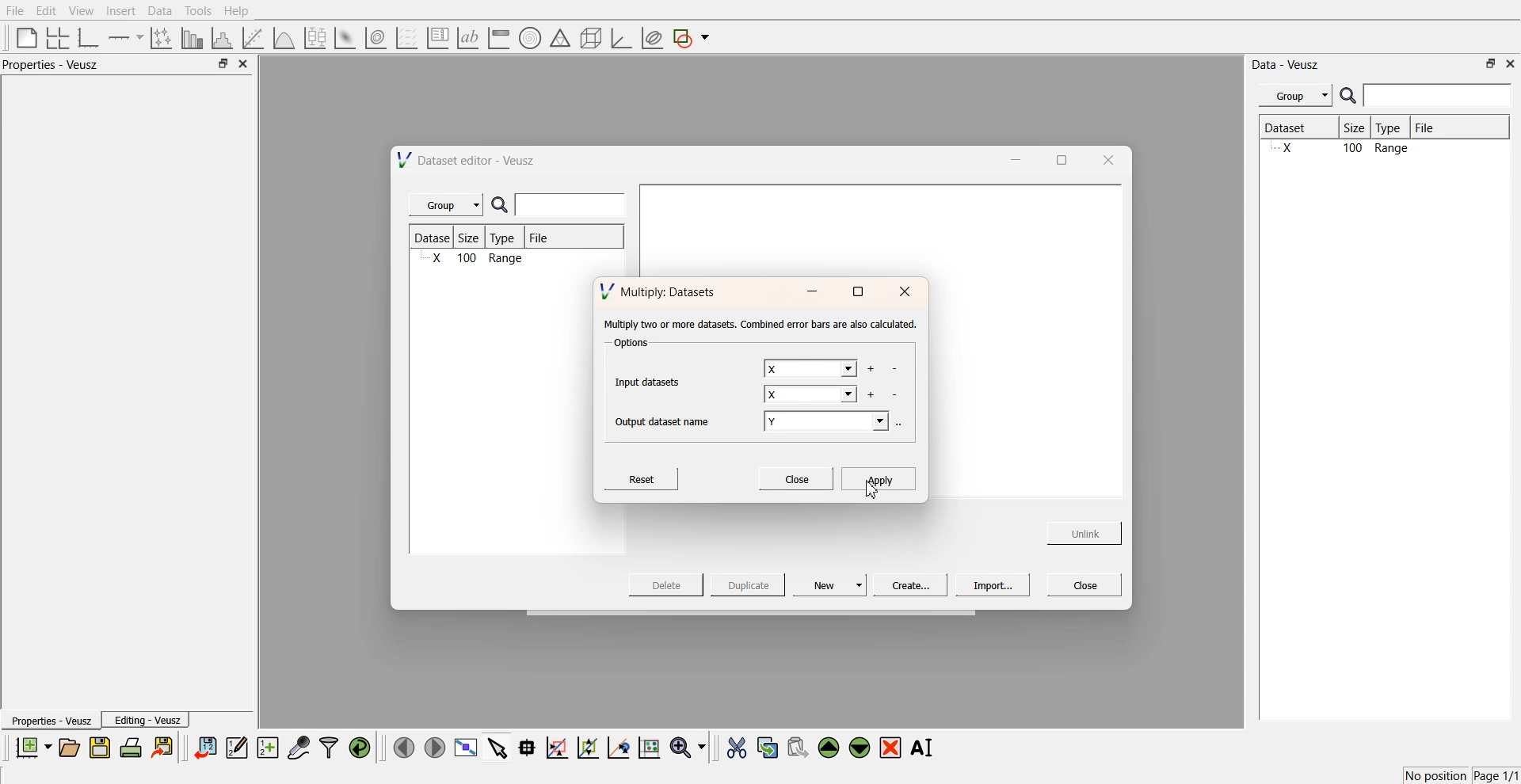  I want to click on open, so click(69, 748).